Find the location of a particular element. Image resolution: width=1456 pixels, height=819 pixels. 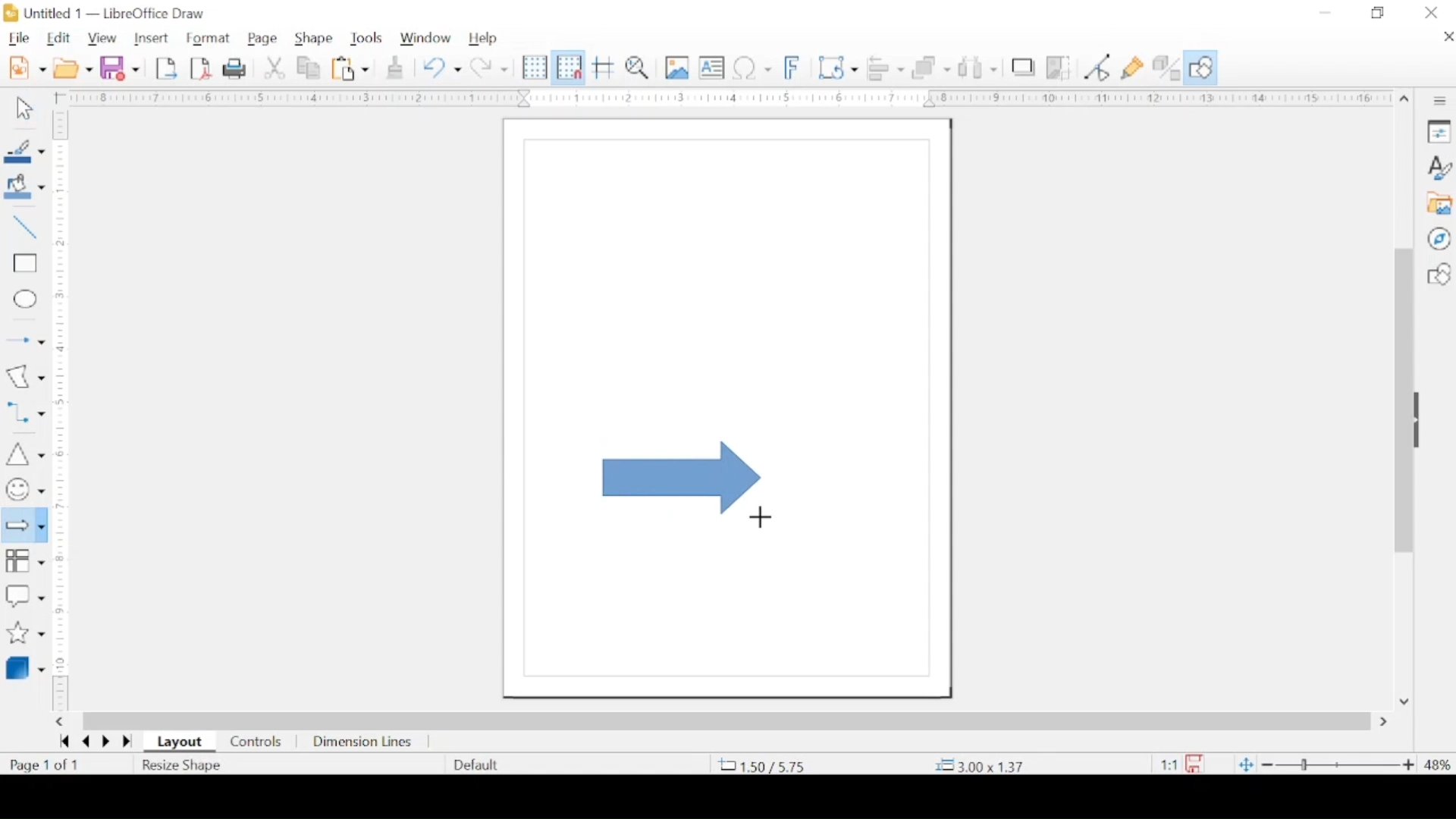

margin is located at coordinates (64, 325).